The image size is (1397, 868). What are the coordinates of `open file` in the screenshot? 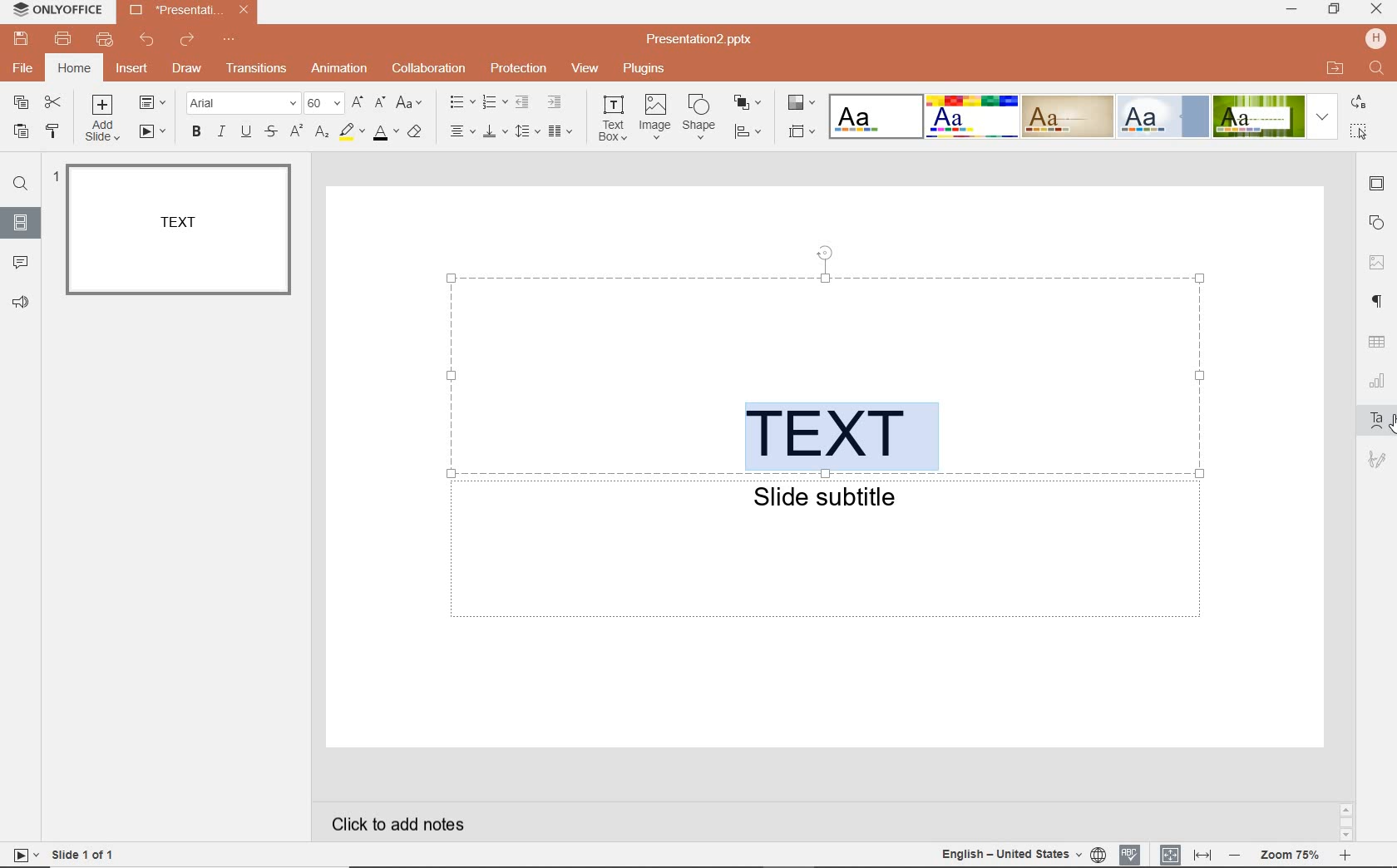 It's located at (1335, 68).